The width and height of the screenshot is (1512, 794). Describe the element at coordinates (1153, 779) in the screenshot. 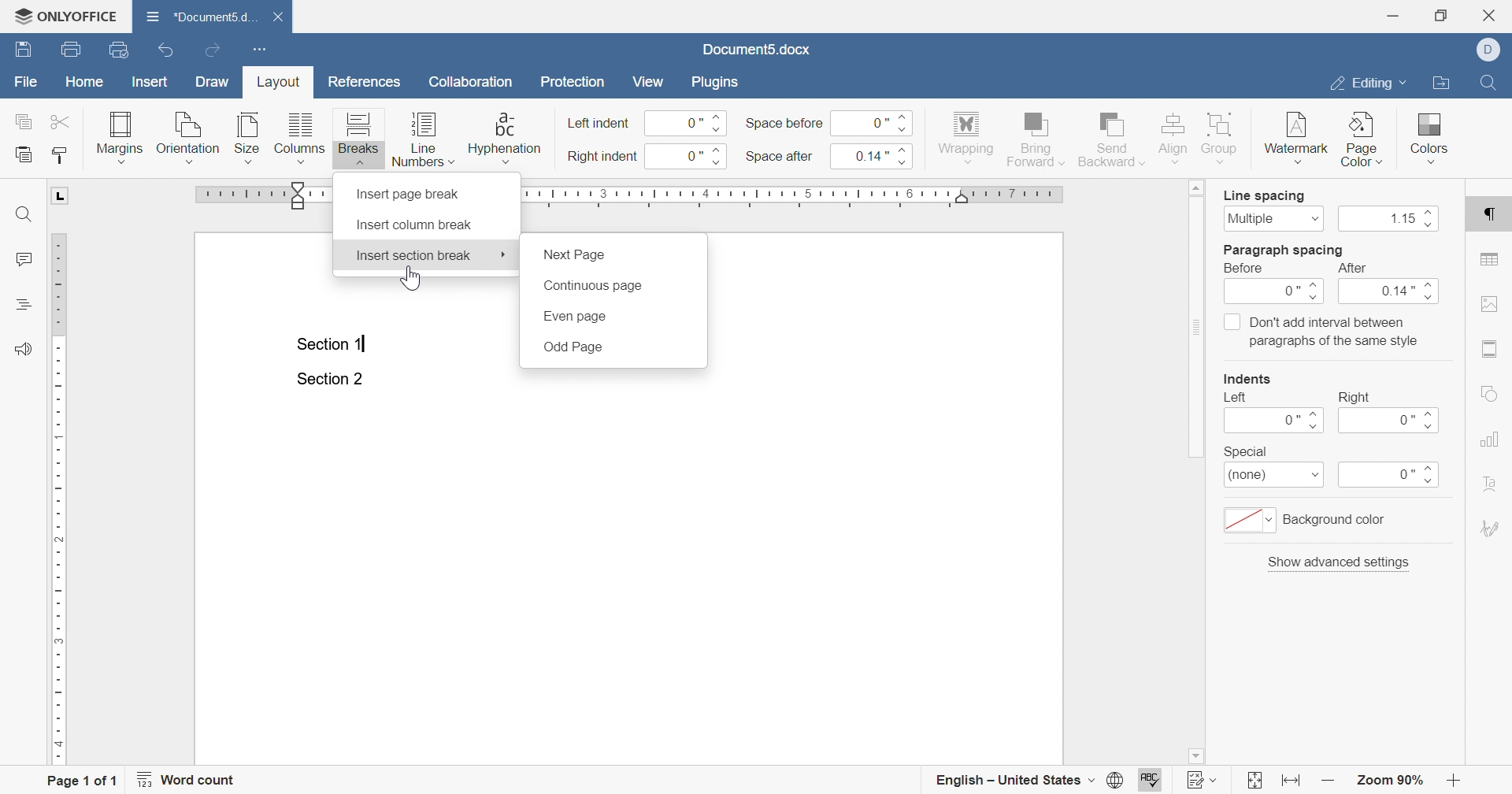

I see `spell checking` at that location.